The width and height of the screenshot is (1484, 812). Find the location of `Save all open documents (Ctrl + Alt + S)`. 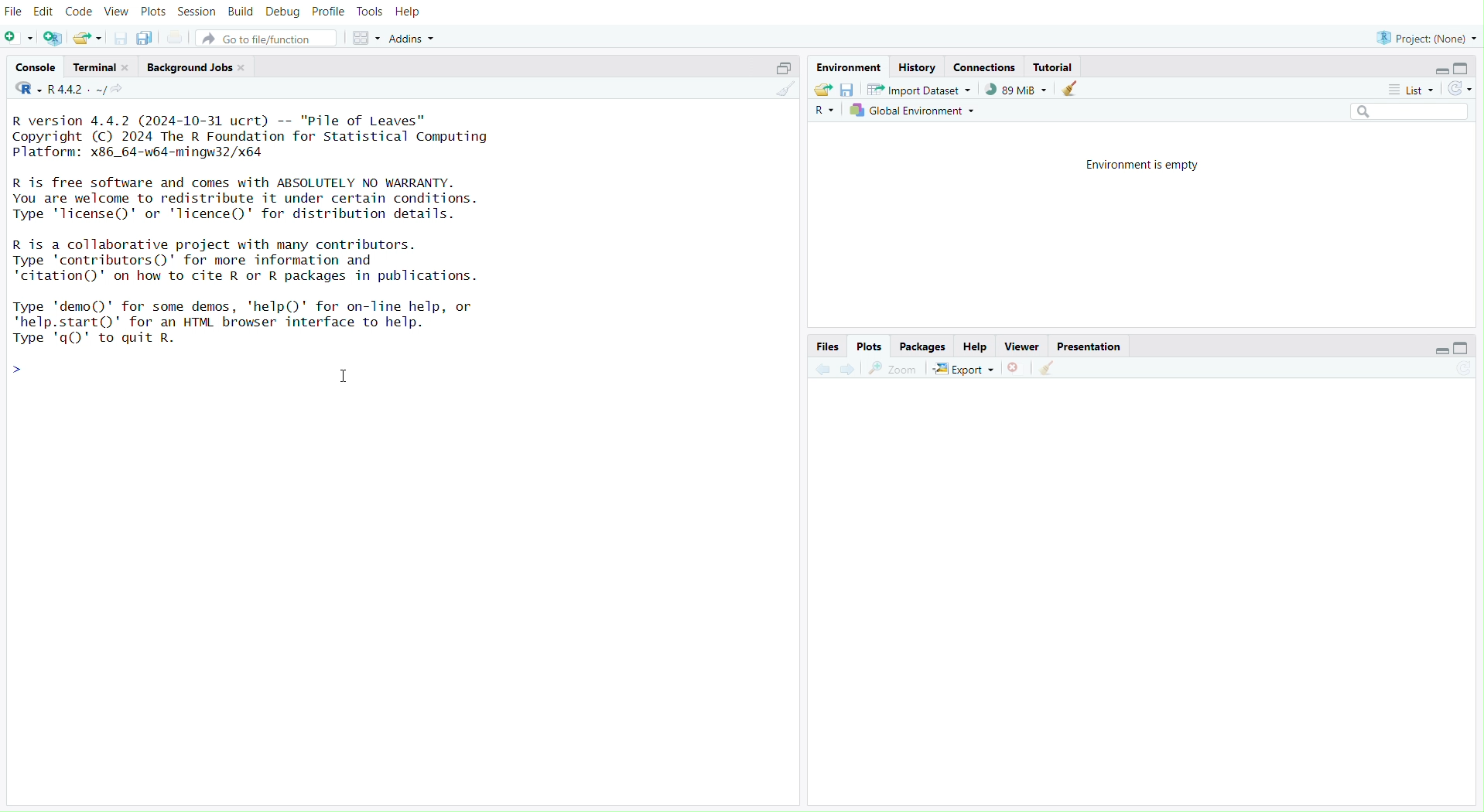

Save all open documents (Ctrl + Alt + S) is located at coordinates (146, 37).